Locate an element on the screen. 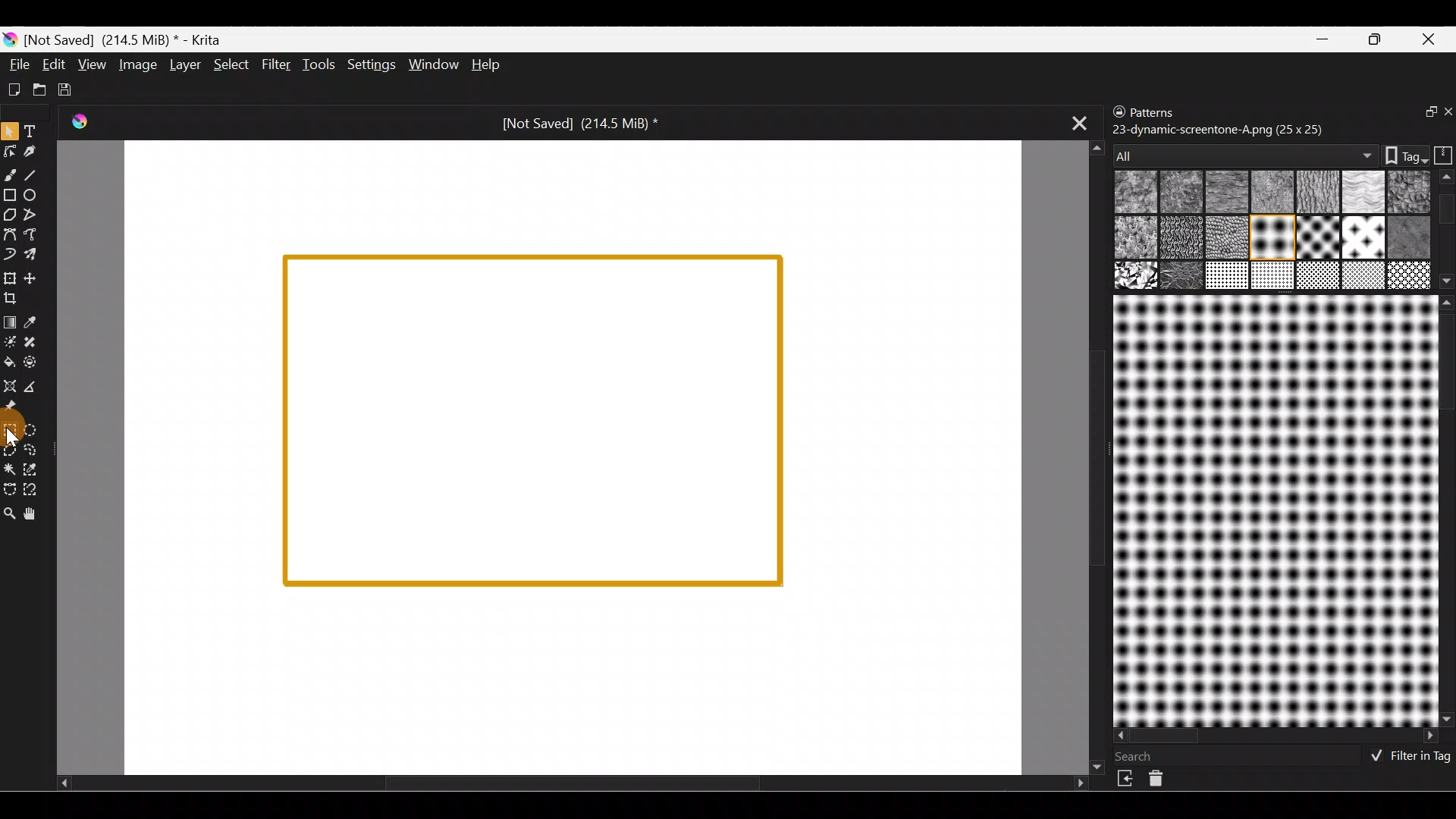 Image resolution: width=1456 pixels, height=819 pixels. Image is located at coordinates (136, 64).